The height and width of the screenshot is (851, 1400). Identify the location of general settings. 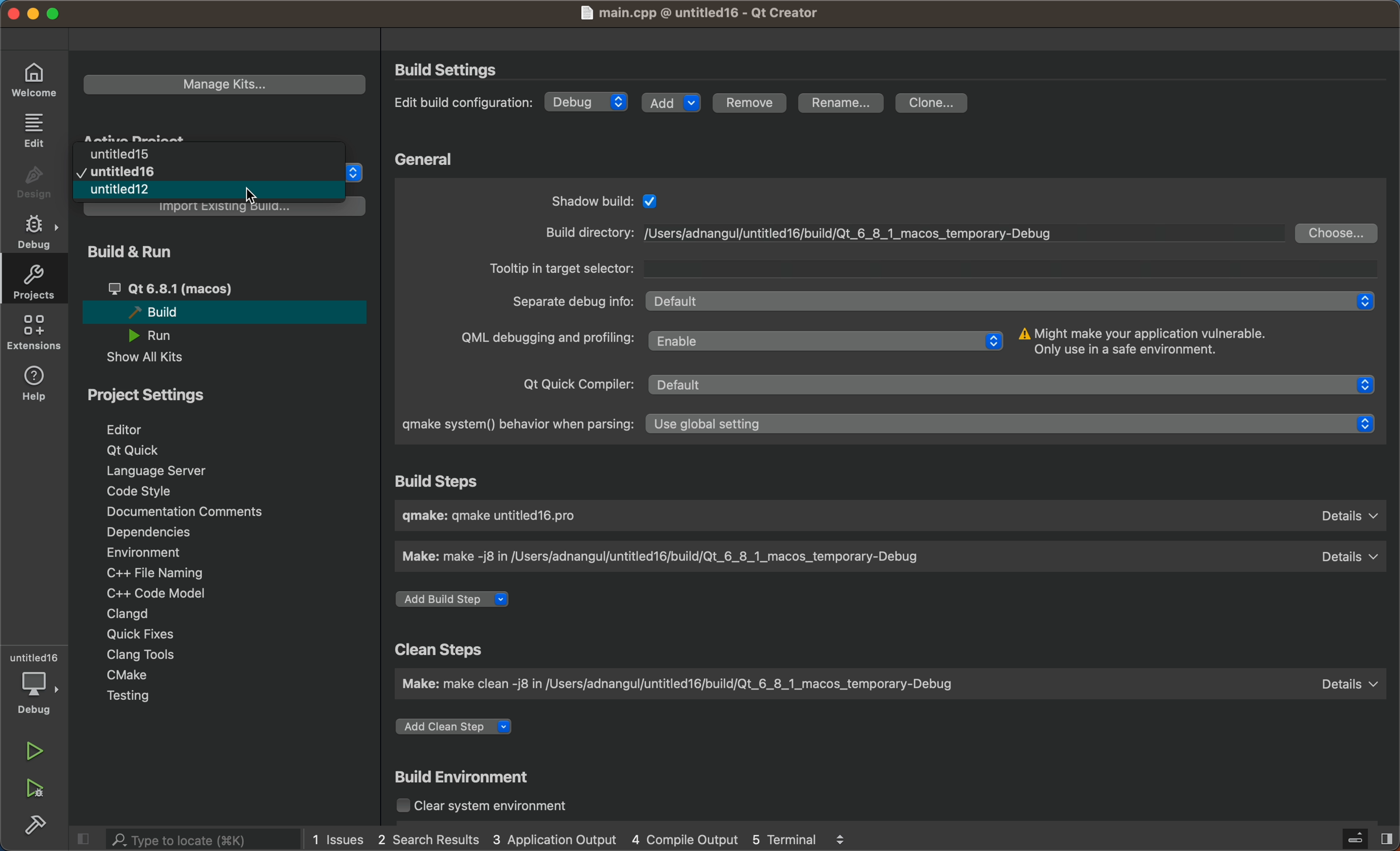
(880, 306).